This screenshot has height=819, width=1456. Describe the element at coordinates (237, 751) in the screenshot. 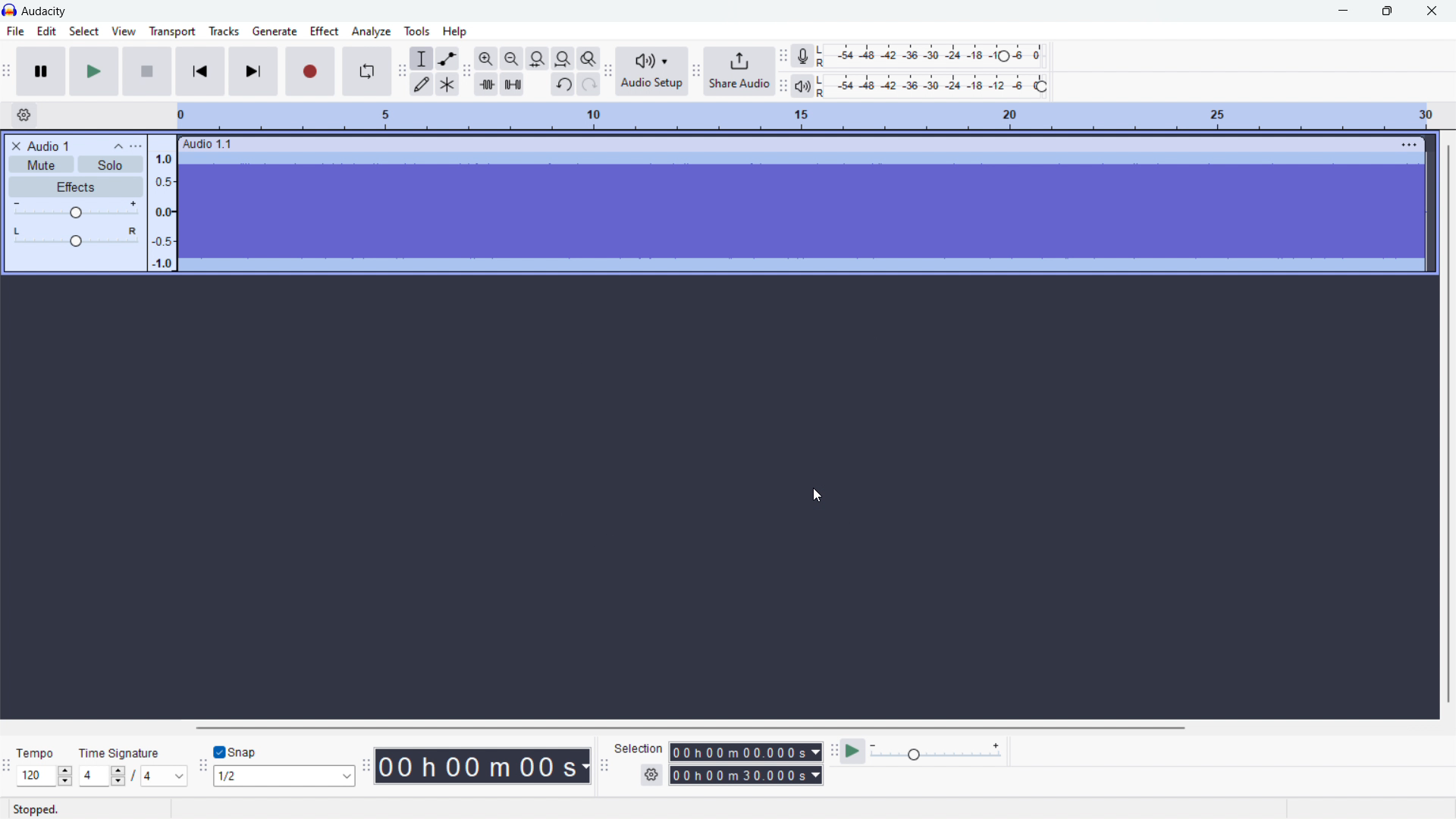

I see `toggle snap` at that location.